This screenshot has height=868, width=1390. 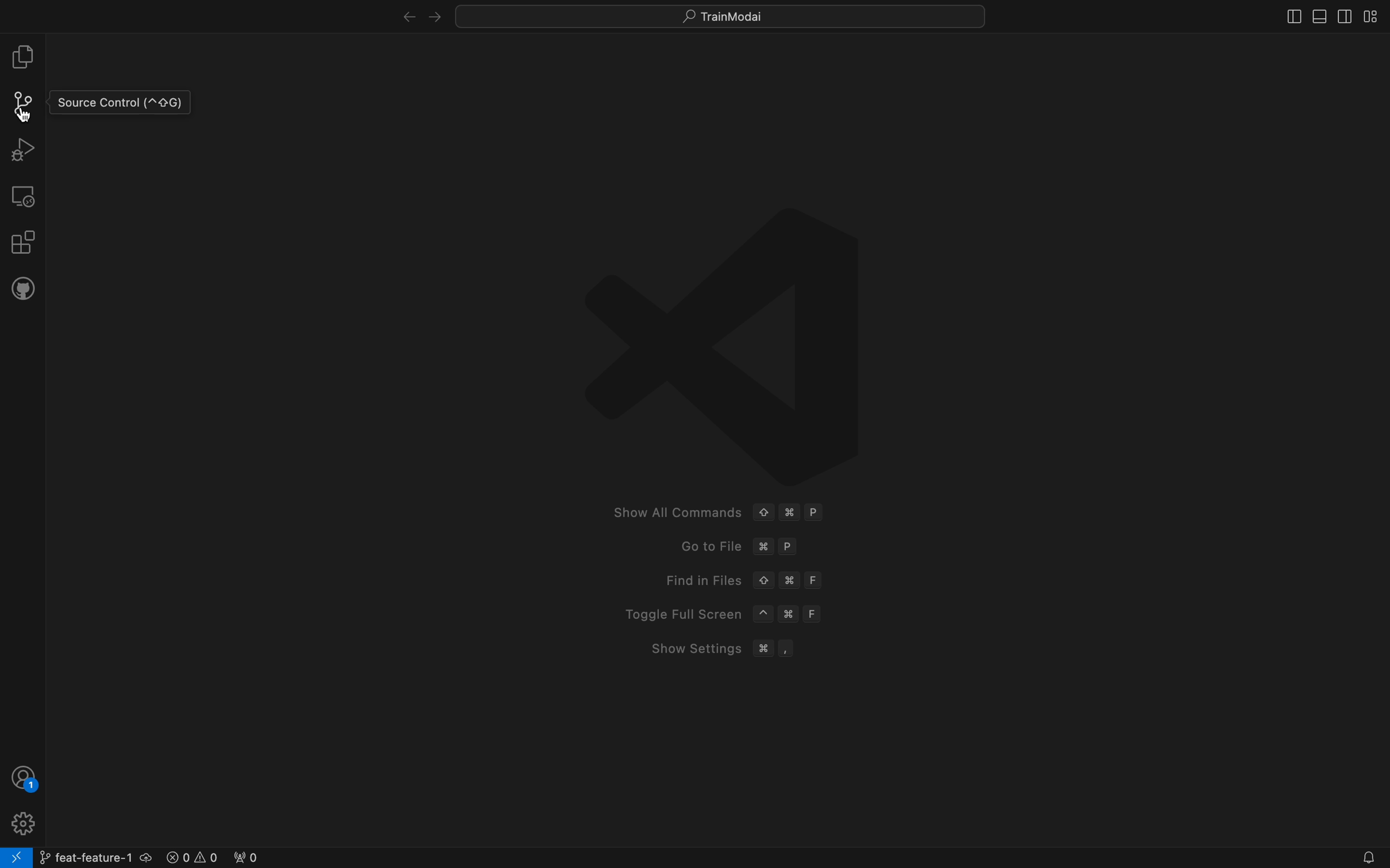 What do you see at coordinates (676, 513) in the screenshot?
I see `Show All Commands` at bounding box center [676, 513].